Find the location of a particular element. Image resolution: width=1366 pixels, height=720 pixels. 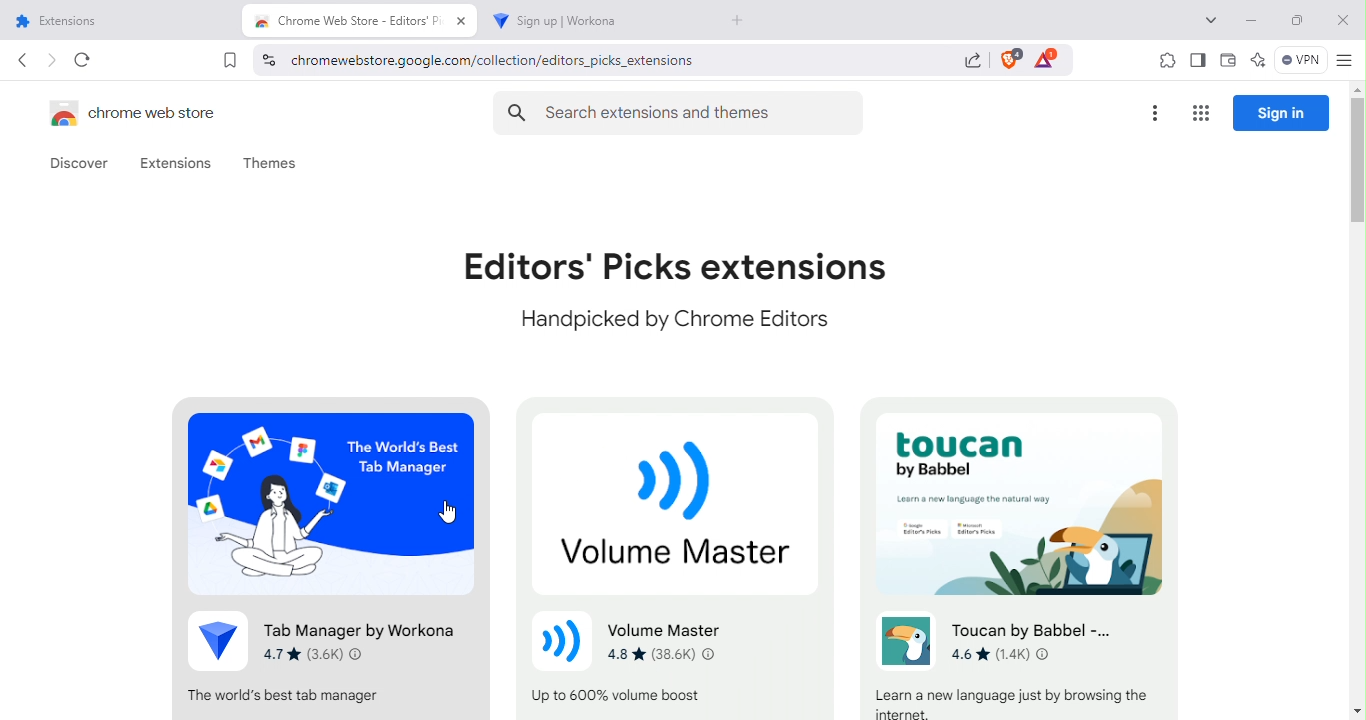

Search bar is located at coordinates (683, 109).